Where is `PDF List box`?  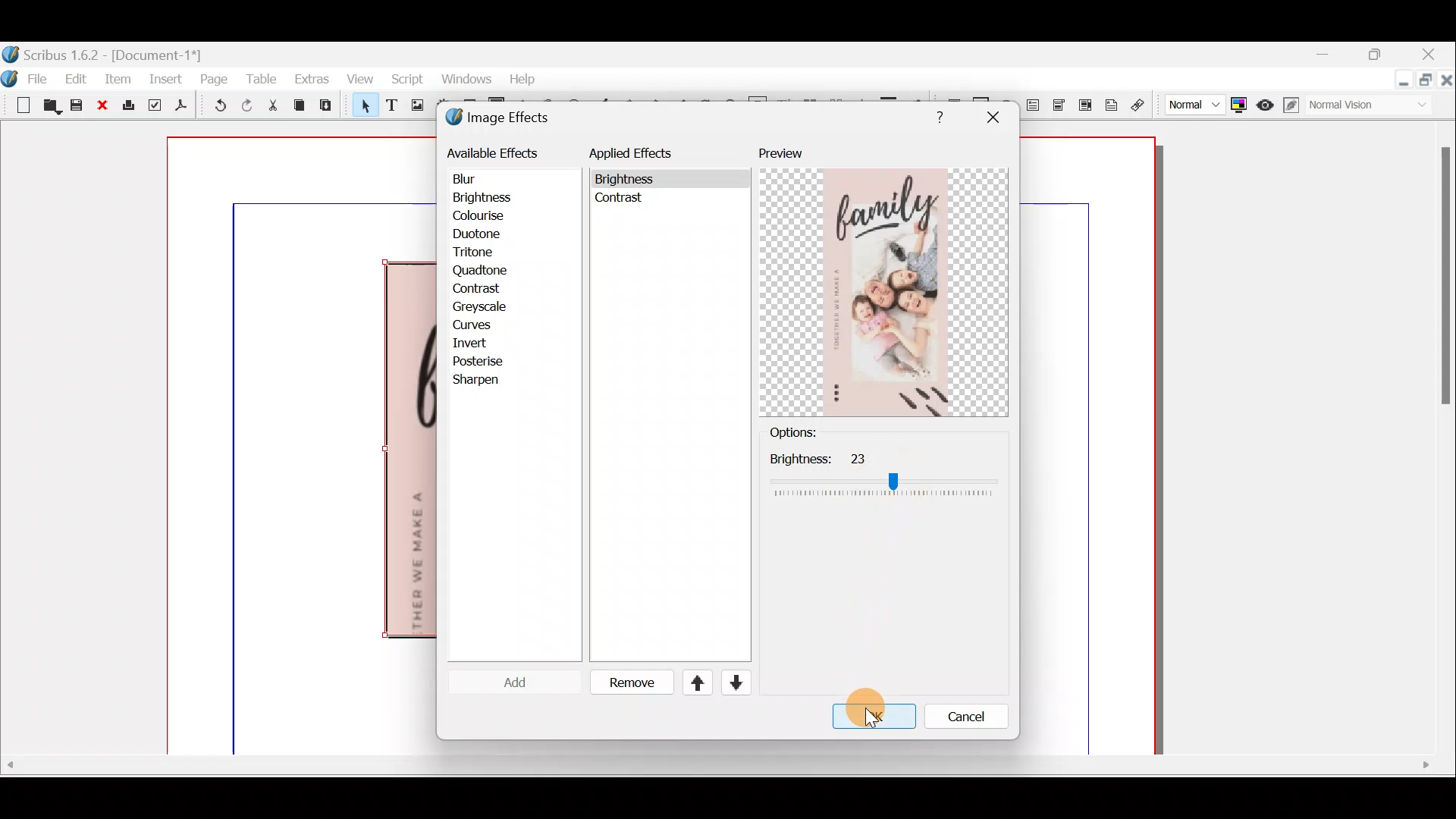 PDF List box is located at coordinates (1085, 103).